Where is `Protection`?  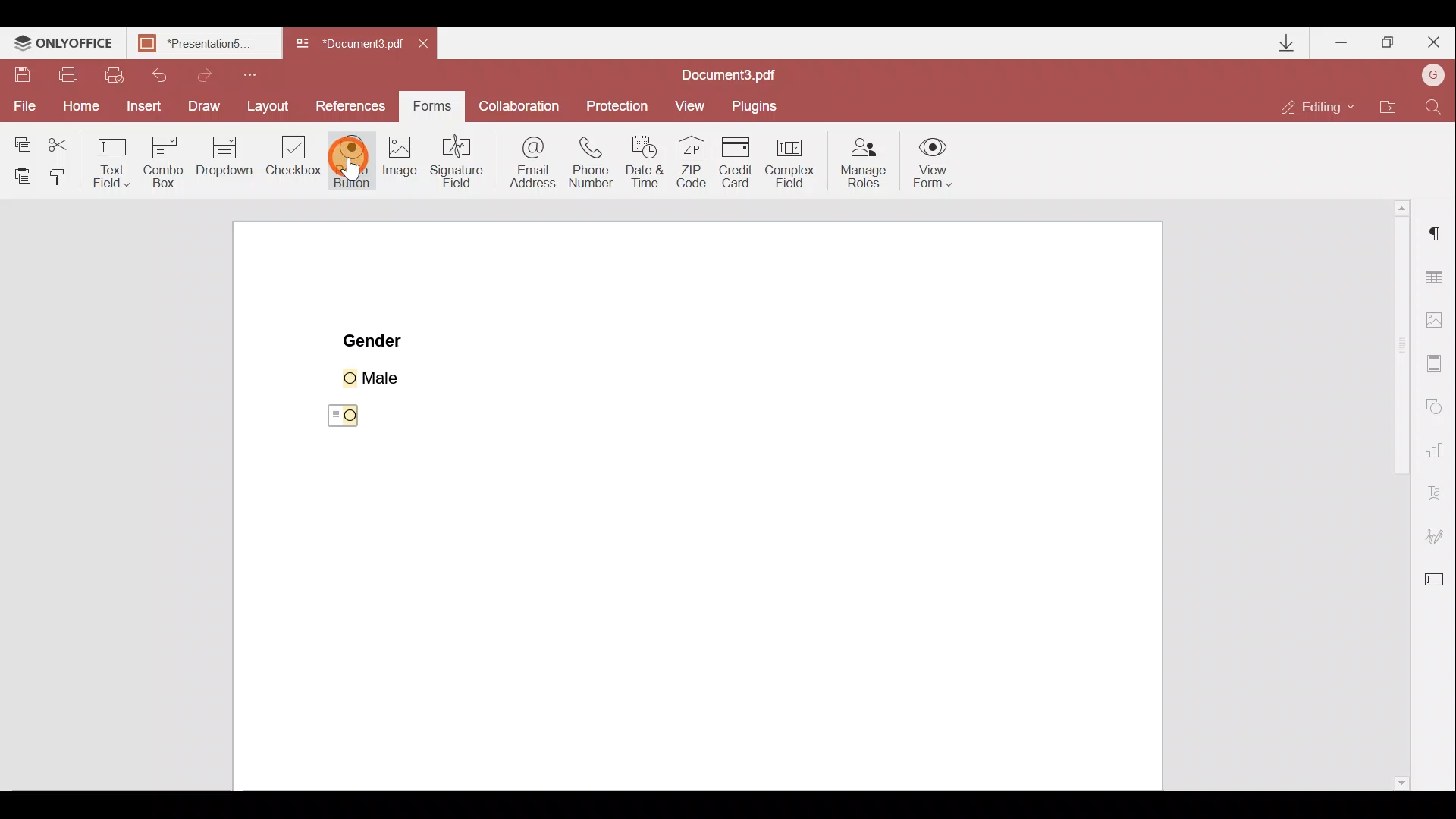
Protection is located at coordinates (619, 102).